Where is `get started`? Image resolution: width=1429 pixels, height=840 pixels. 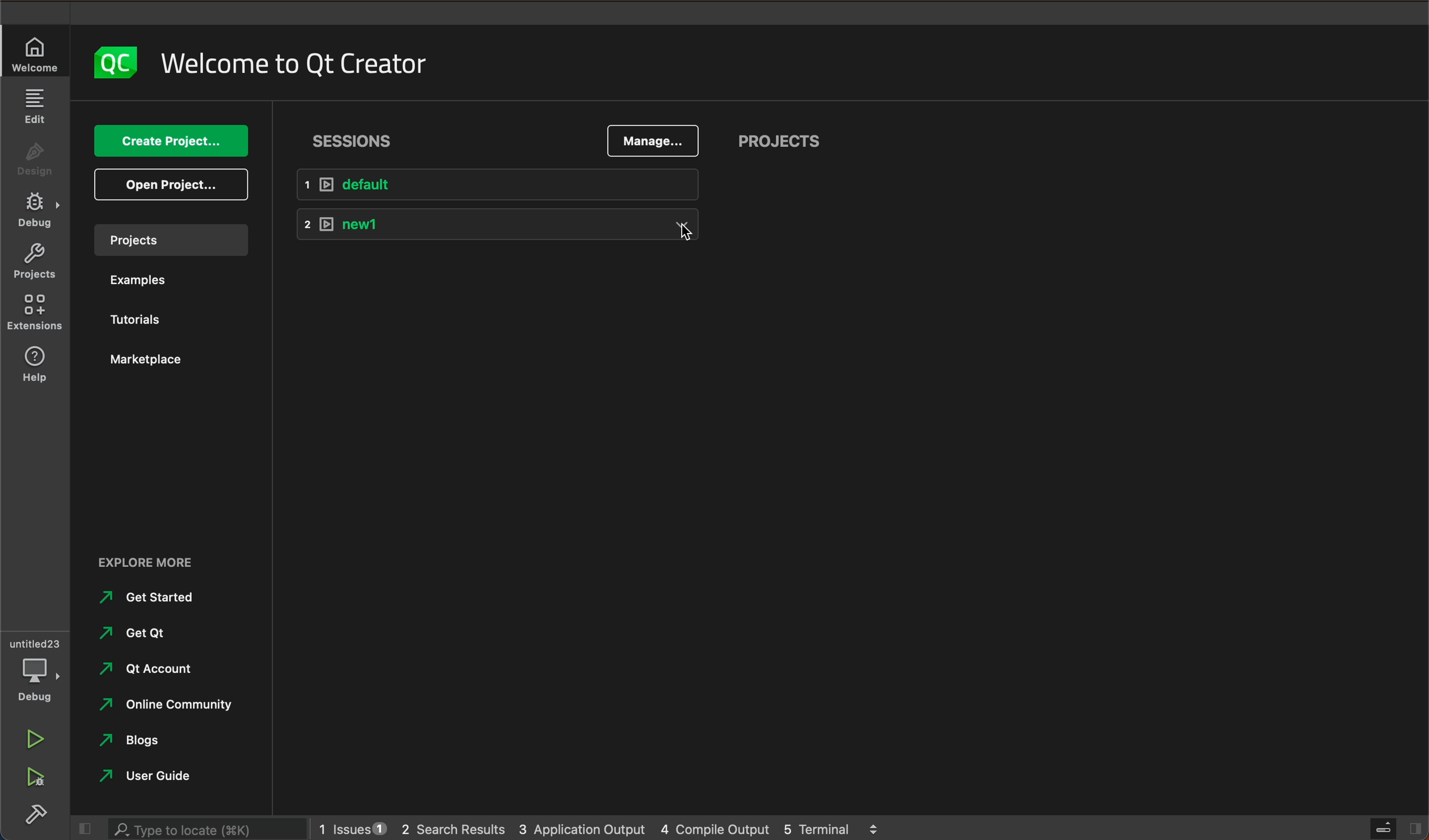
get started is located at coordinates (151, 597).